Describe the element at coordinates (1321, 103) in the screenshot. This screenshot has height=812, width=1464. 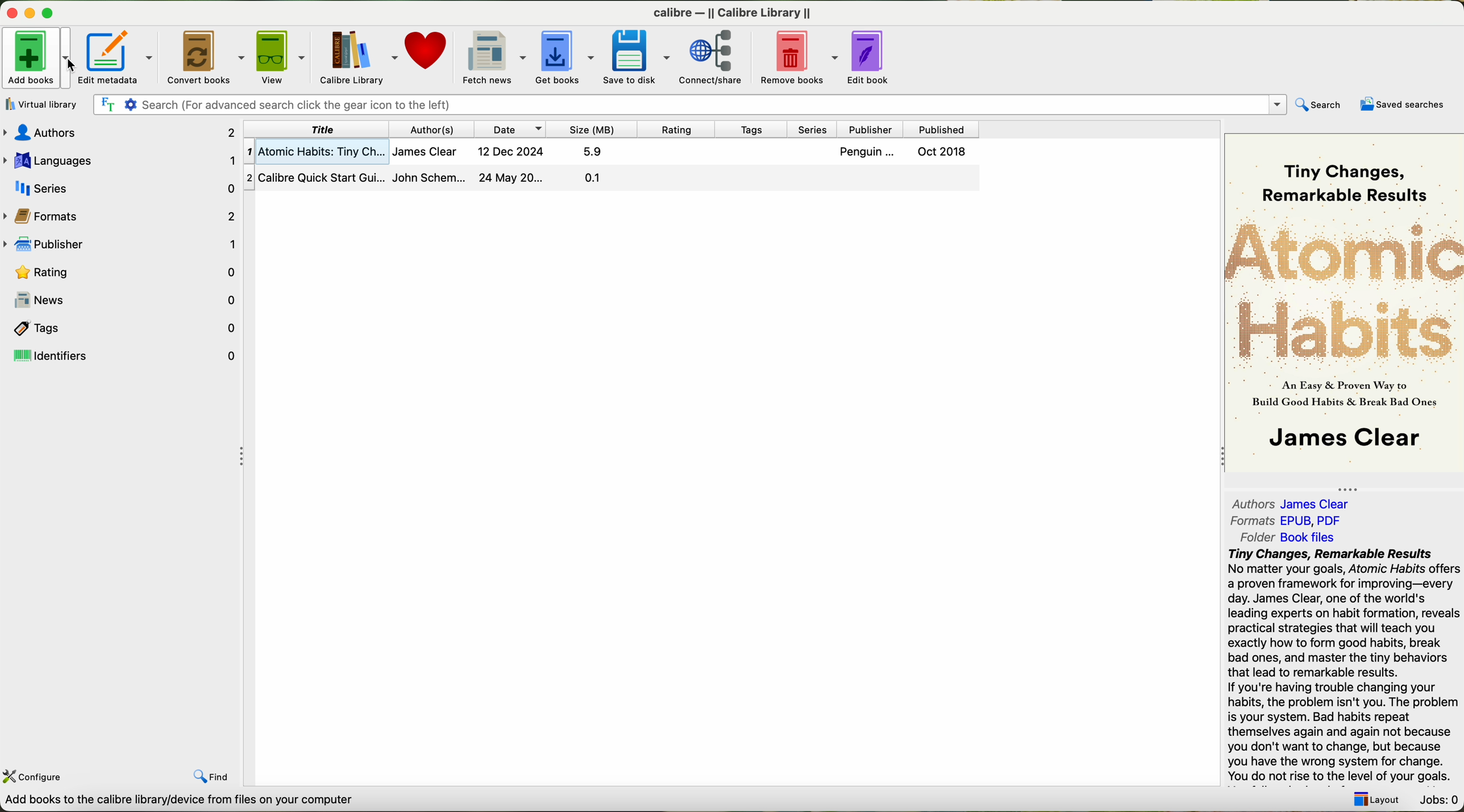
I see `search` at that location.